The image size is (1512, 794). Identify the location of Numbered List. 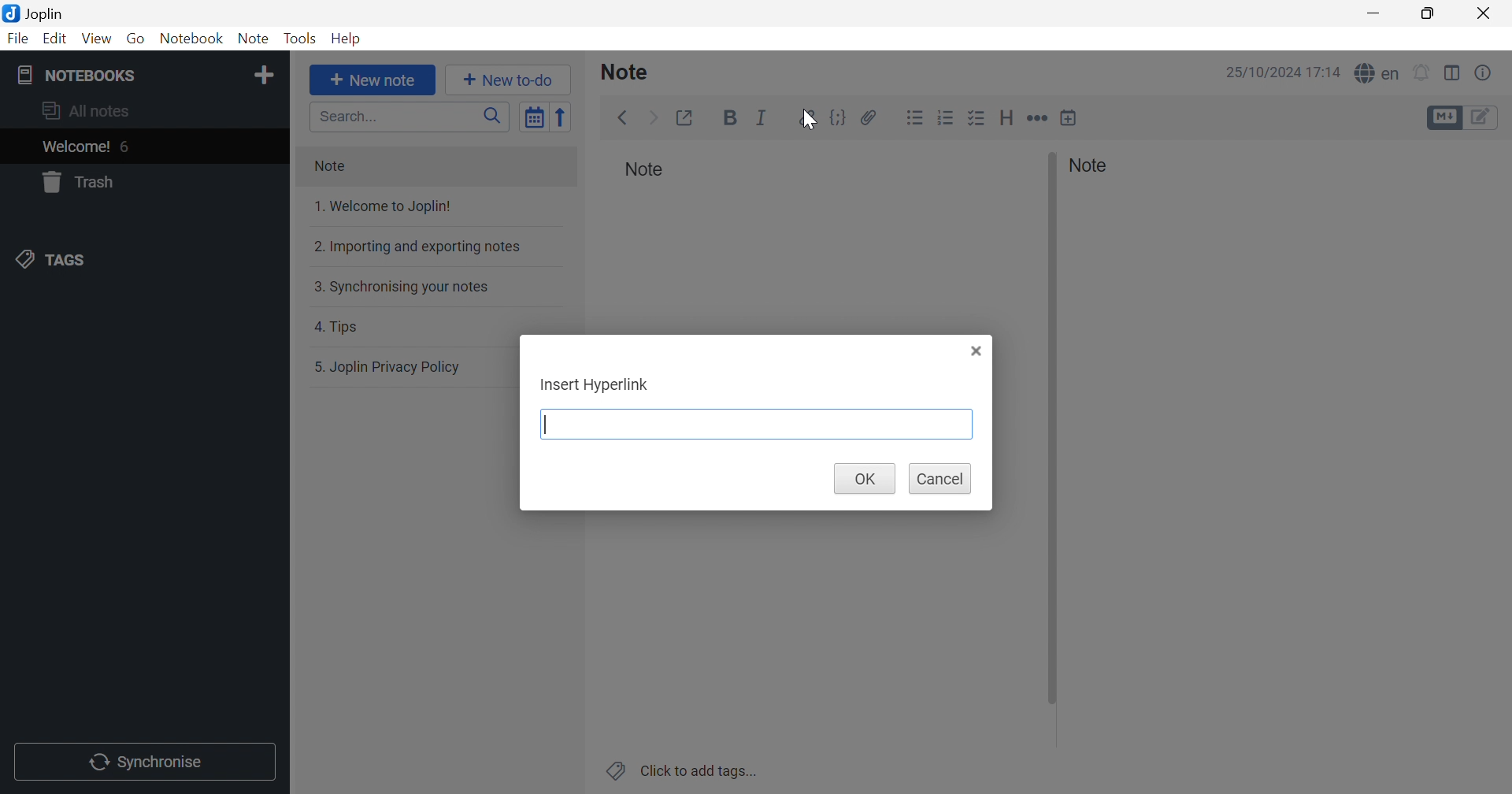
(946, 117).